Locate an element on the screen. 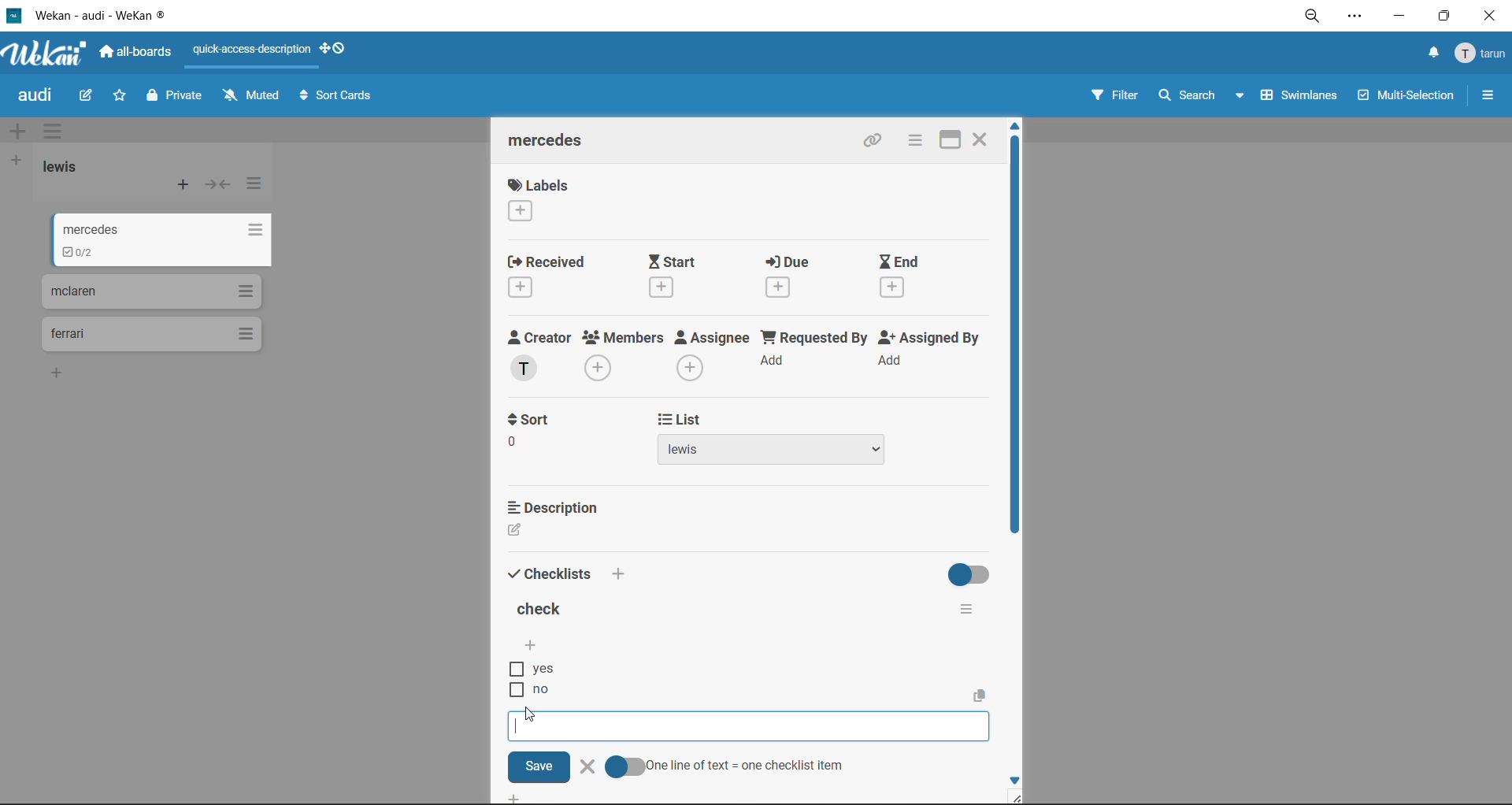  Checklist input is located at coordinates (748, 727).